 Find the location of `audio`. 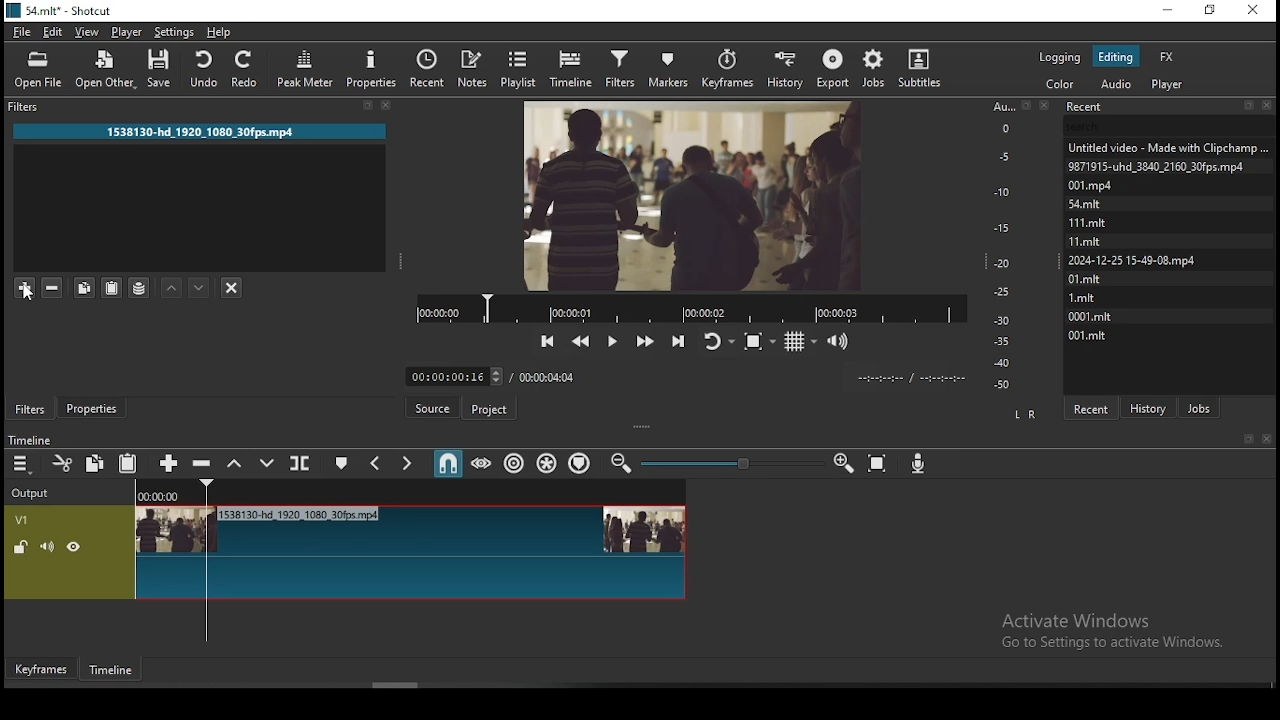

audio is located at coordinates (1115, 84).